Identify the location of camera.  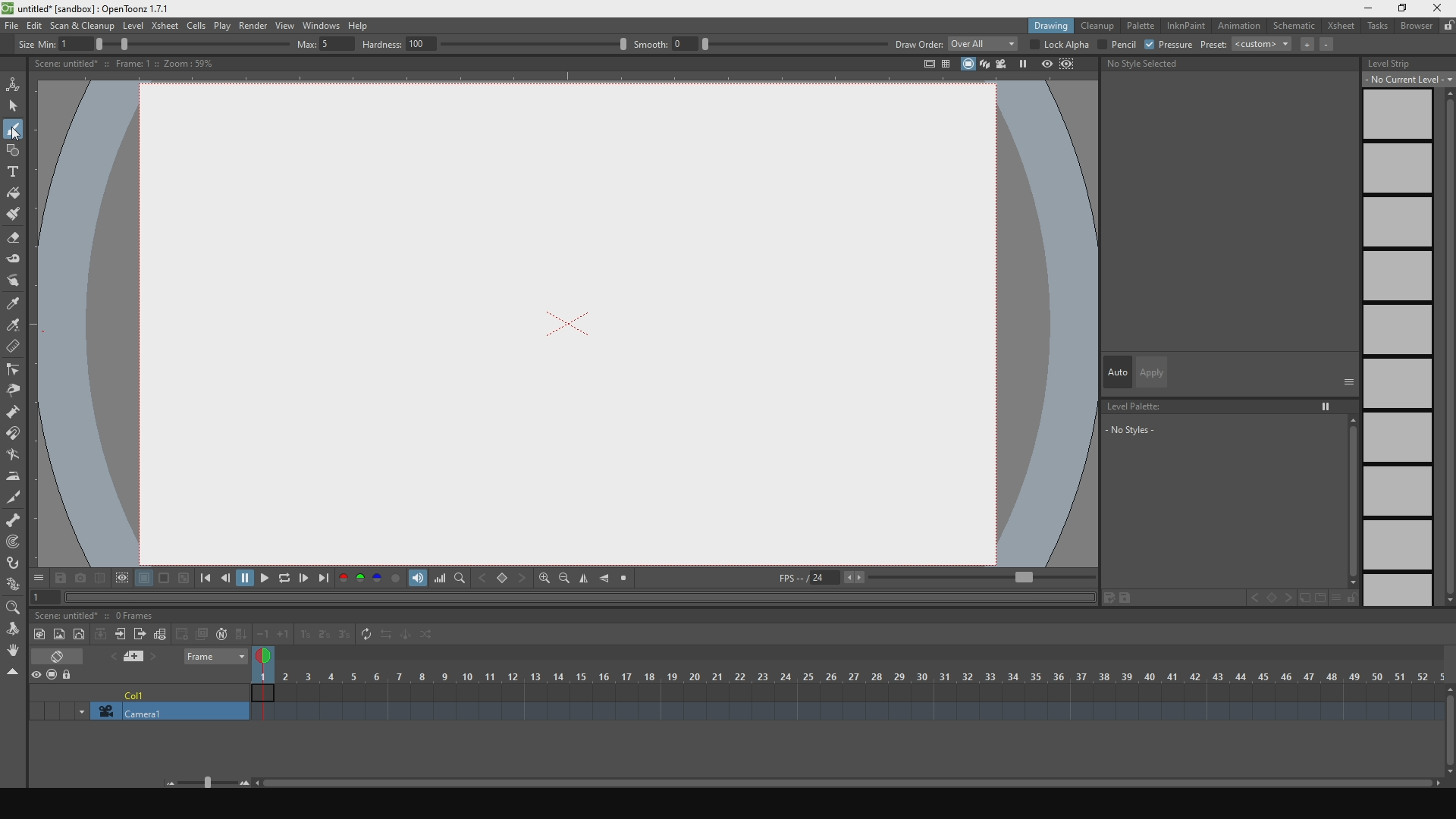
(140, 708).